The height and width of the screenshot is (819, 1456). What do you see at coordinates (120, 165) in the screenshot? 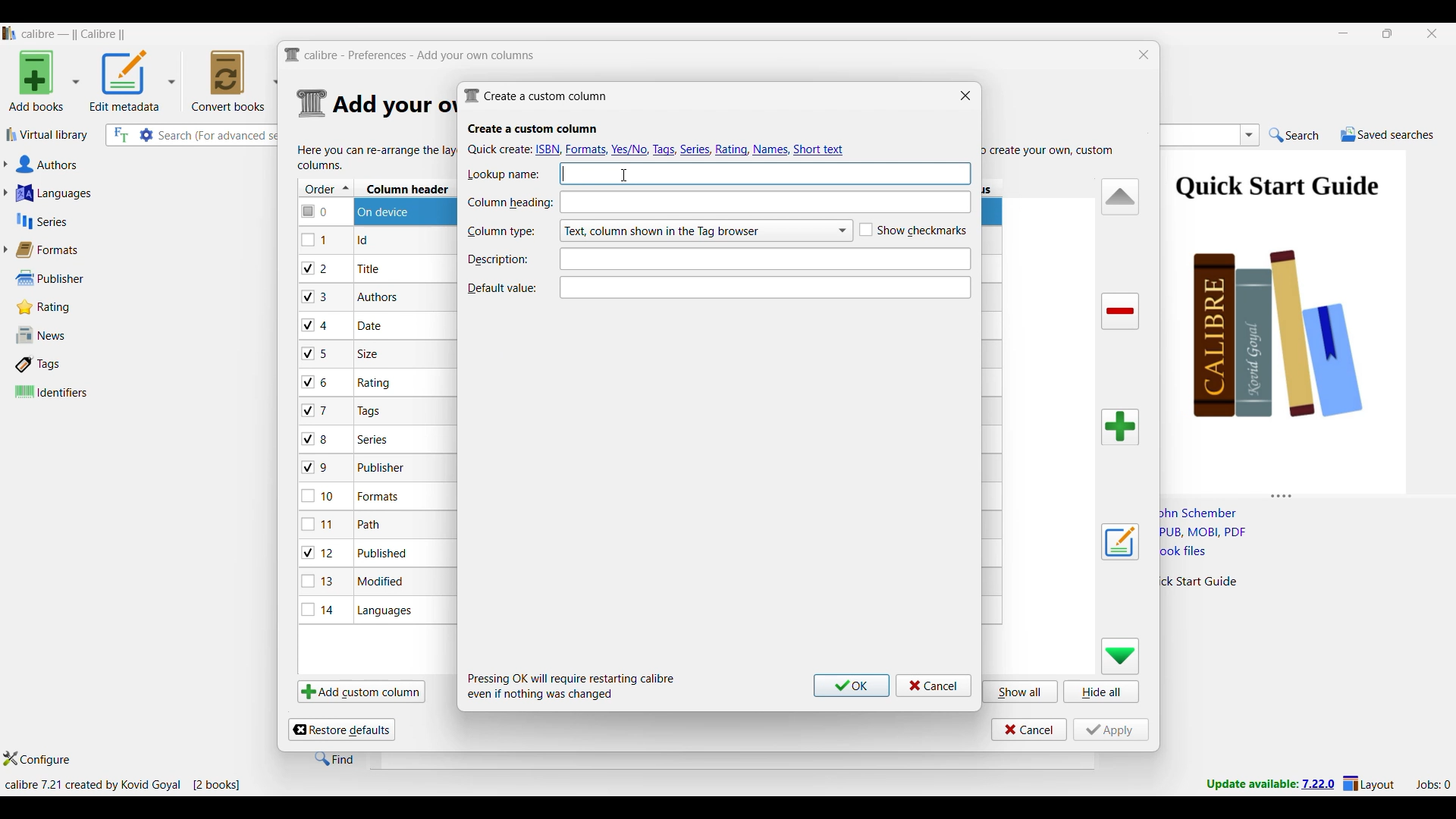
I see `Authors` at bounding box center [120, 165].